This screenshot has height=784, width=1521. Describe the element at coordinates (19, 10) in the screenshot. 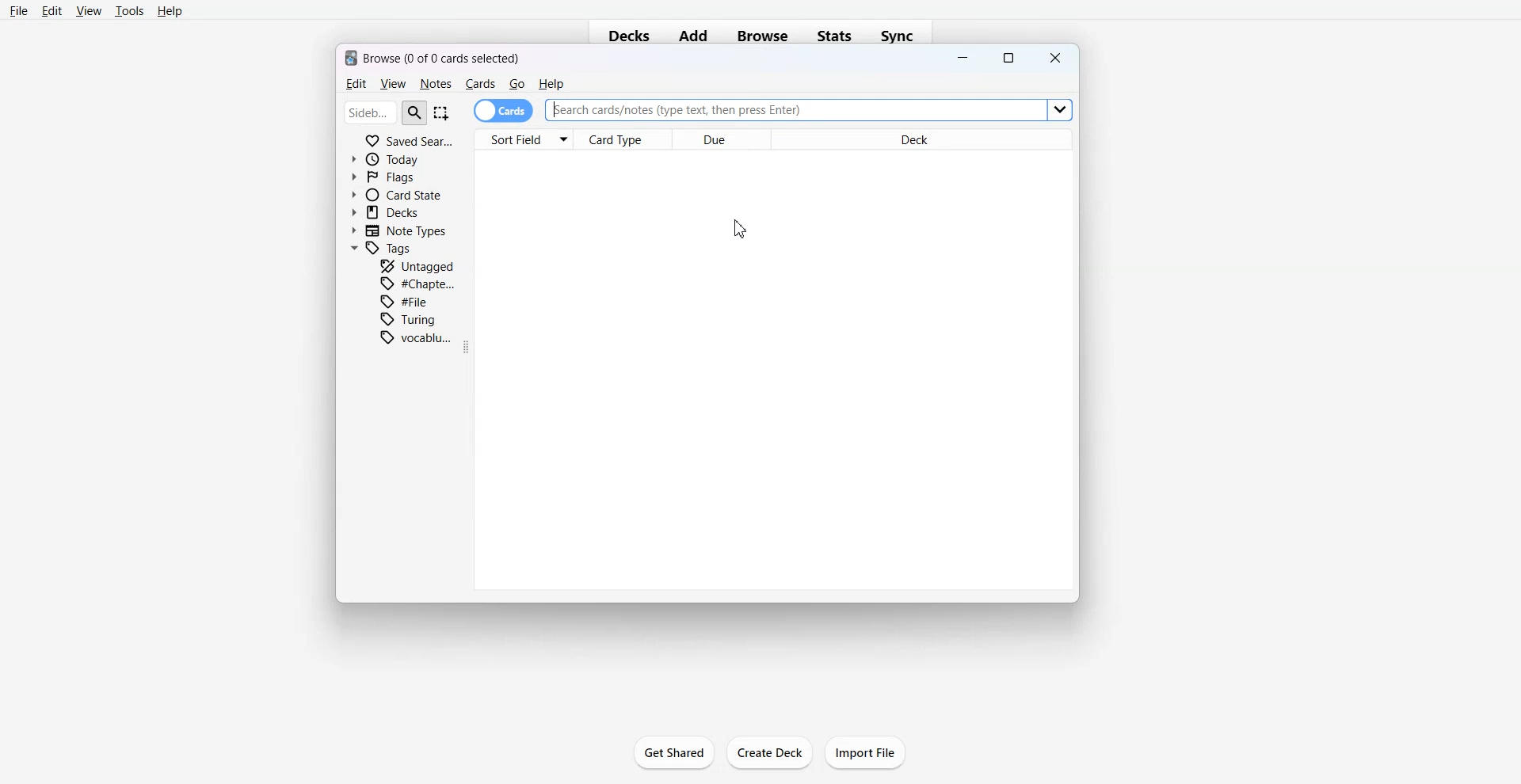

I see `File` at that location.